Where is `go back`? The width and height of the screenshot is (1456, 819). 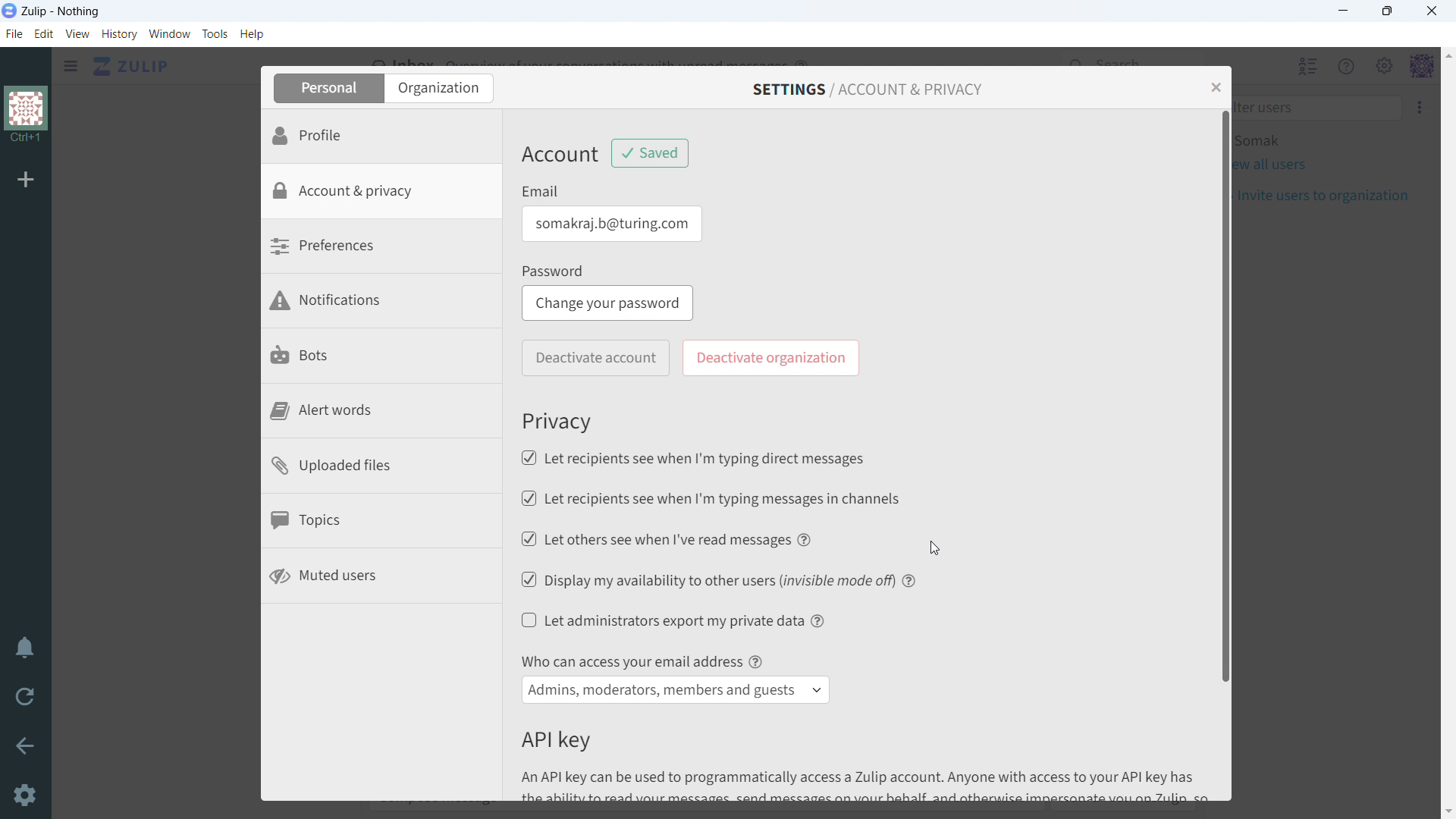
go back is located at coordinates (26, 744).